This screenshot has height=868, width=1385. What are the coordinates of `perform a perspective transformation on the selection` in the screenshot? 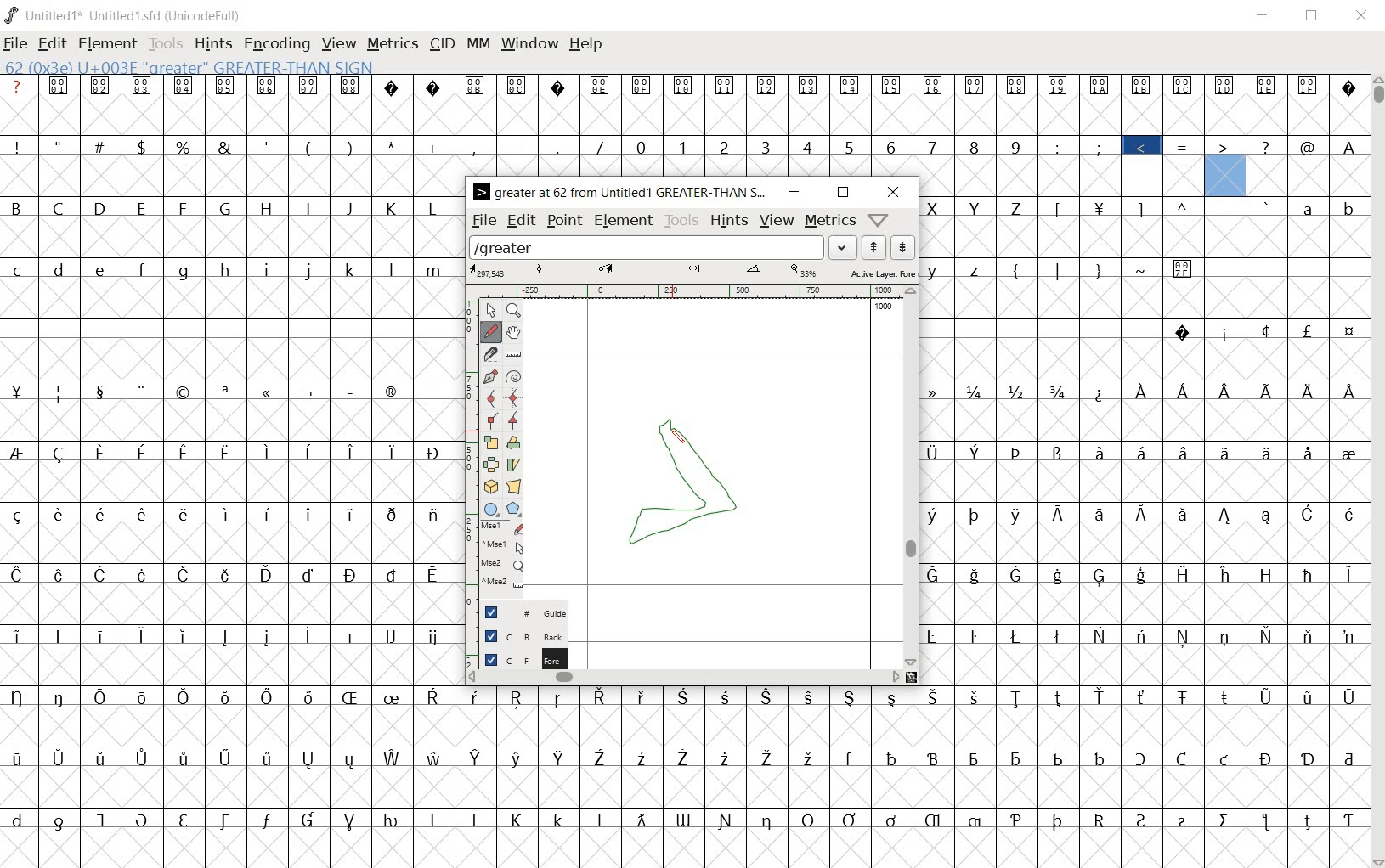 It's located at (514, 486).